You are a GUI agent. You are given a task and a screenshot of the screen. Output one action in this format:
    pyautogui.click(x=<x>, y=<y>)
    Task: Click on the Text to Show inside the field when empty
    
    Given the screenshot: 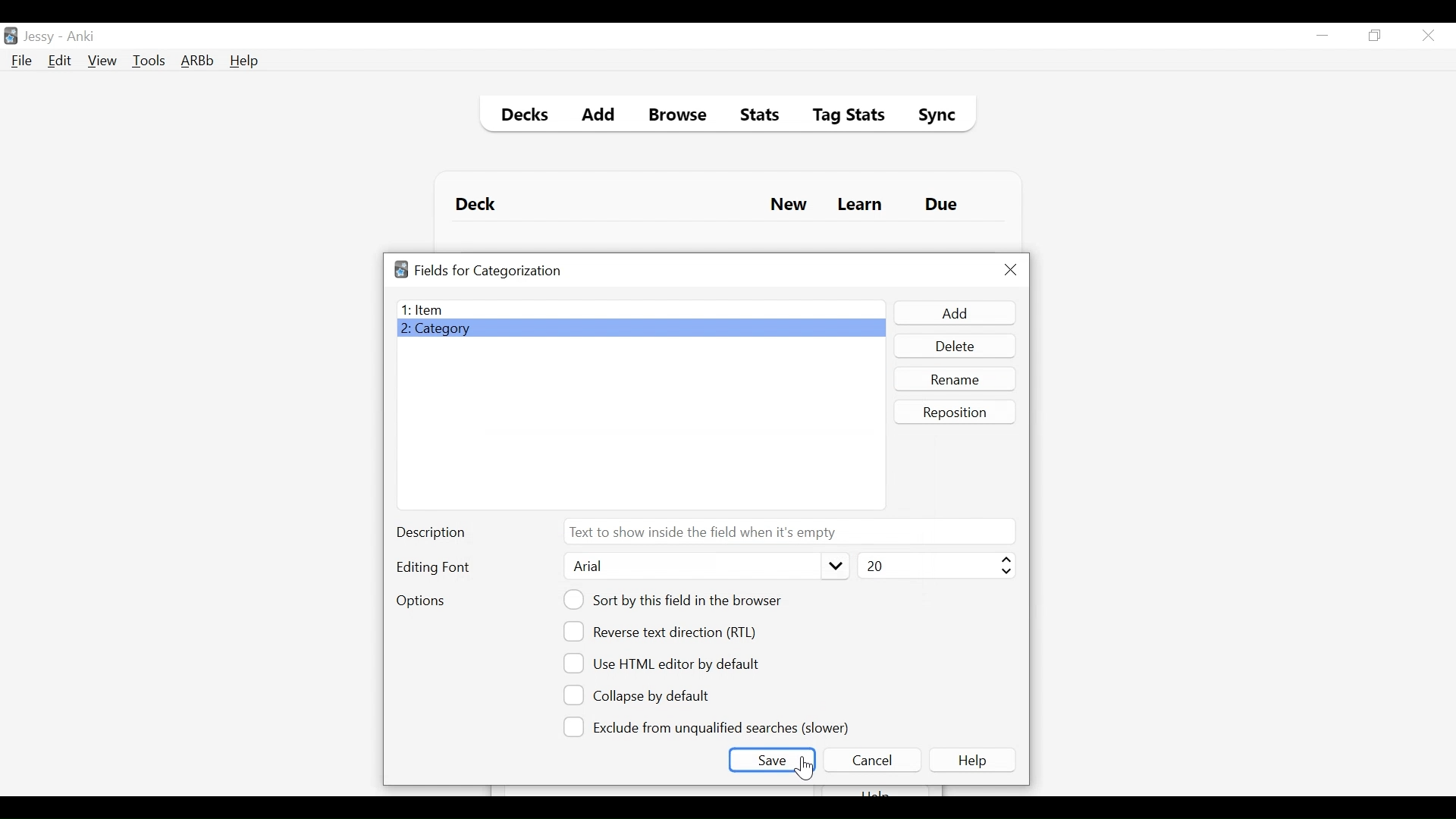 What is the action you would take?
    pyautogui.click(x=788, y=531)
    